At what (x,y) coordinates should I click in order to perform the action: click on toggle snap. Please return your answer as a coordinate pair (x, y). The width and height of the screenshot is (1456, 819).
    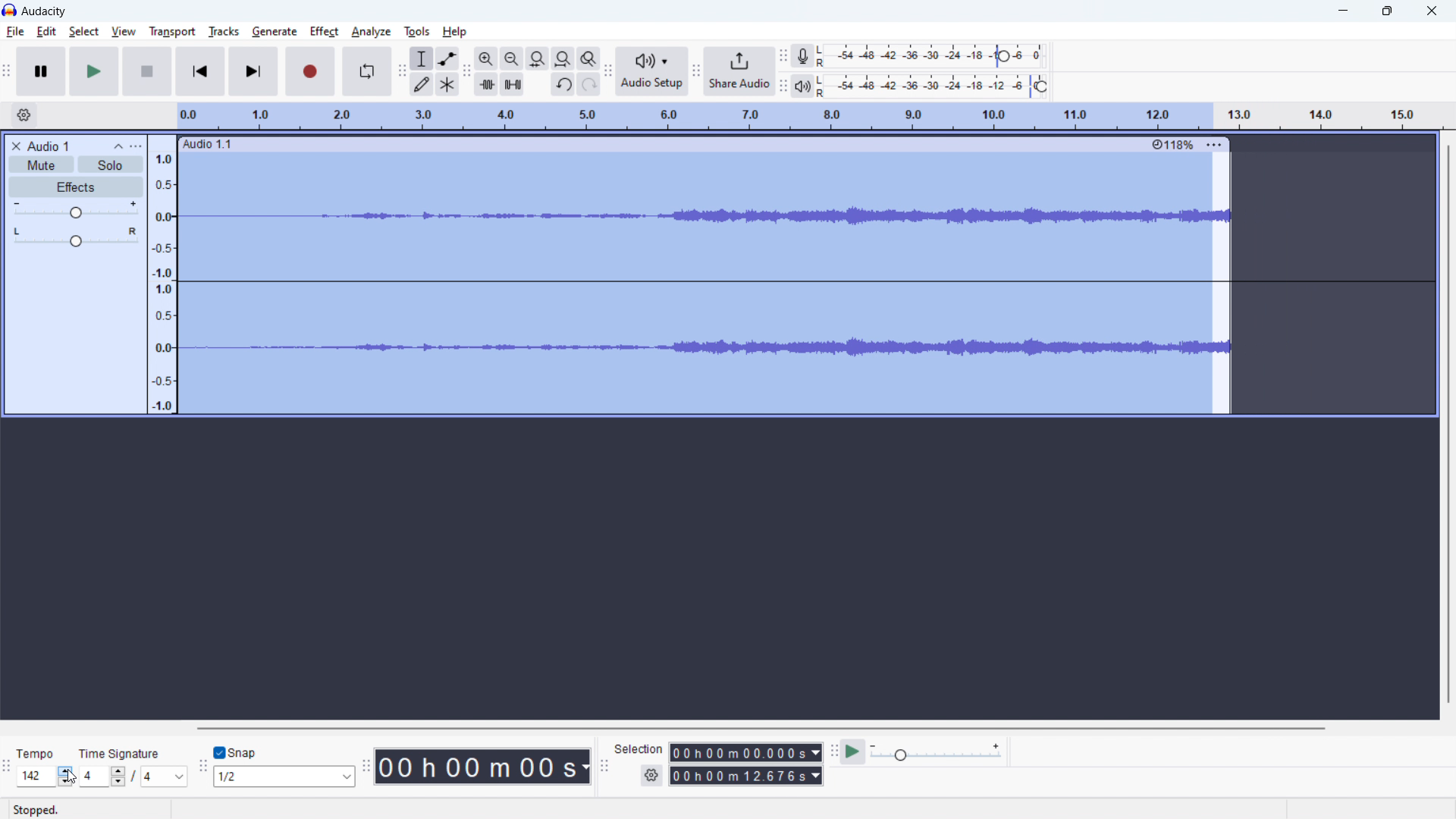
    Looking at the image, I should click on (234, 752).